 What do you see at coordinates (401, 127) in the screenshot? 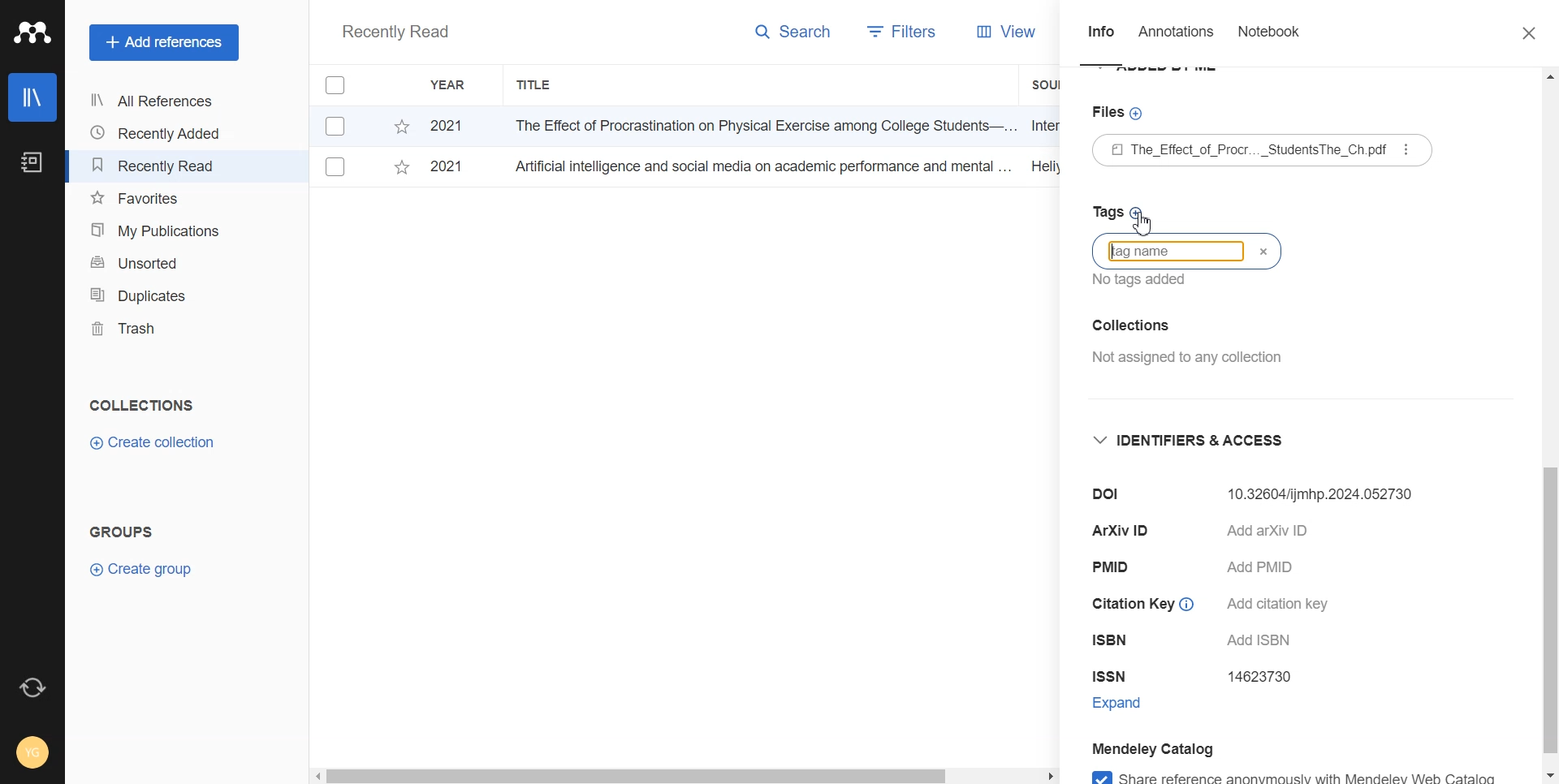
I see `Starred` at bounding box center [401, 127].